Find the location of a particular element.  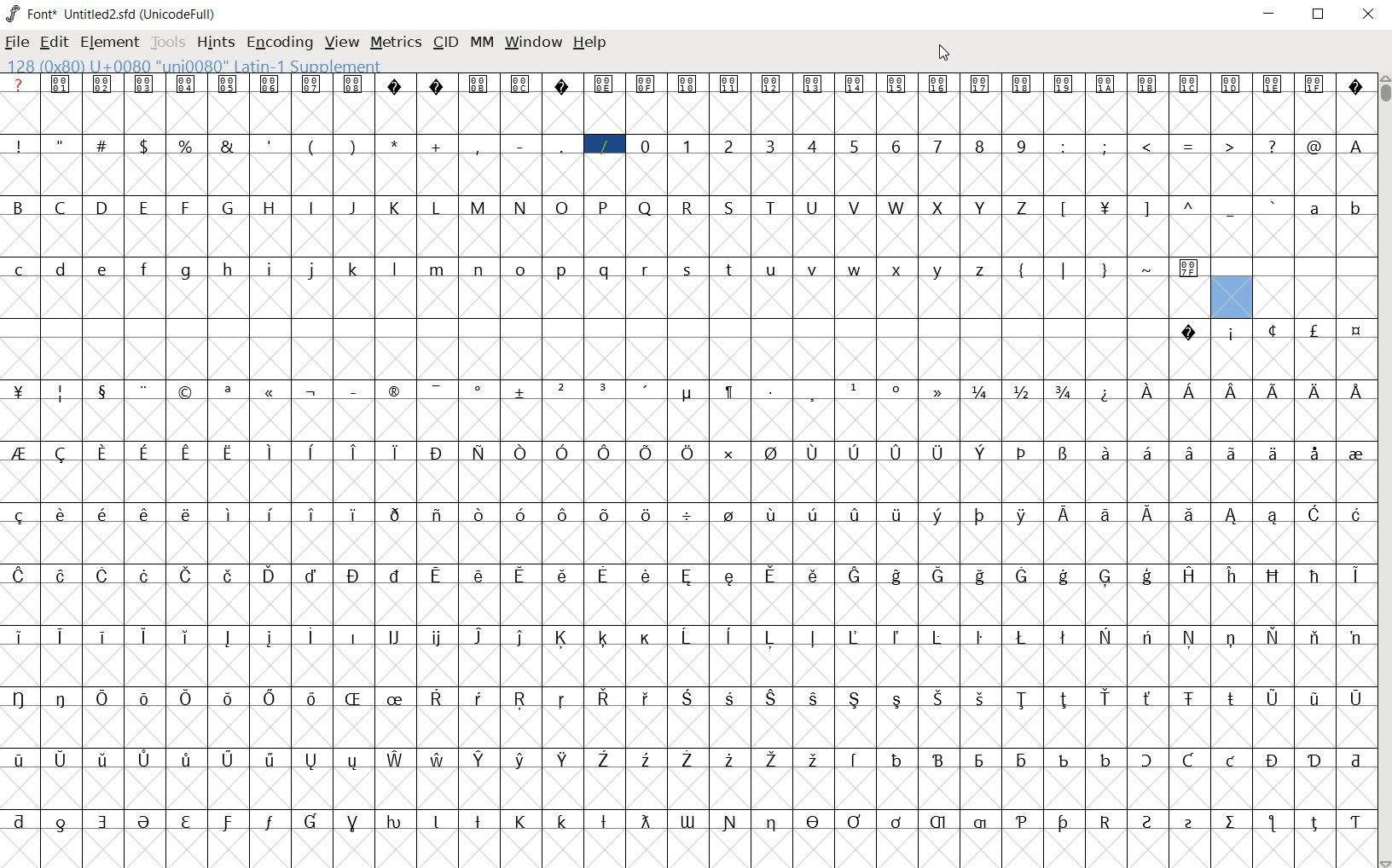

glyph is located at coordinates (1024, 453).